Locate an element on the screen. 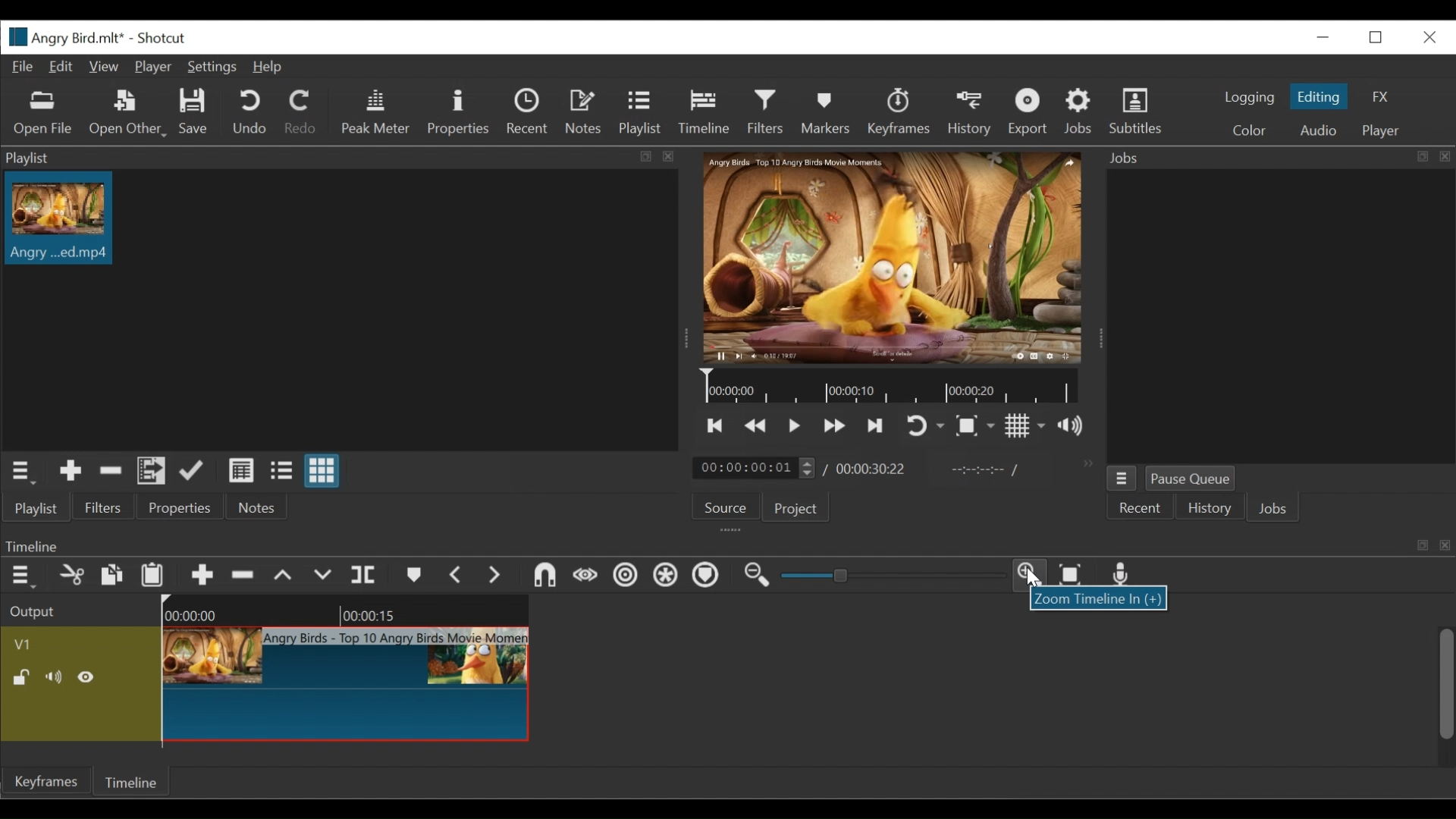 The width and height of the screenshot is (1456, 819). Next Marker is located at coordinates (498, 576).